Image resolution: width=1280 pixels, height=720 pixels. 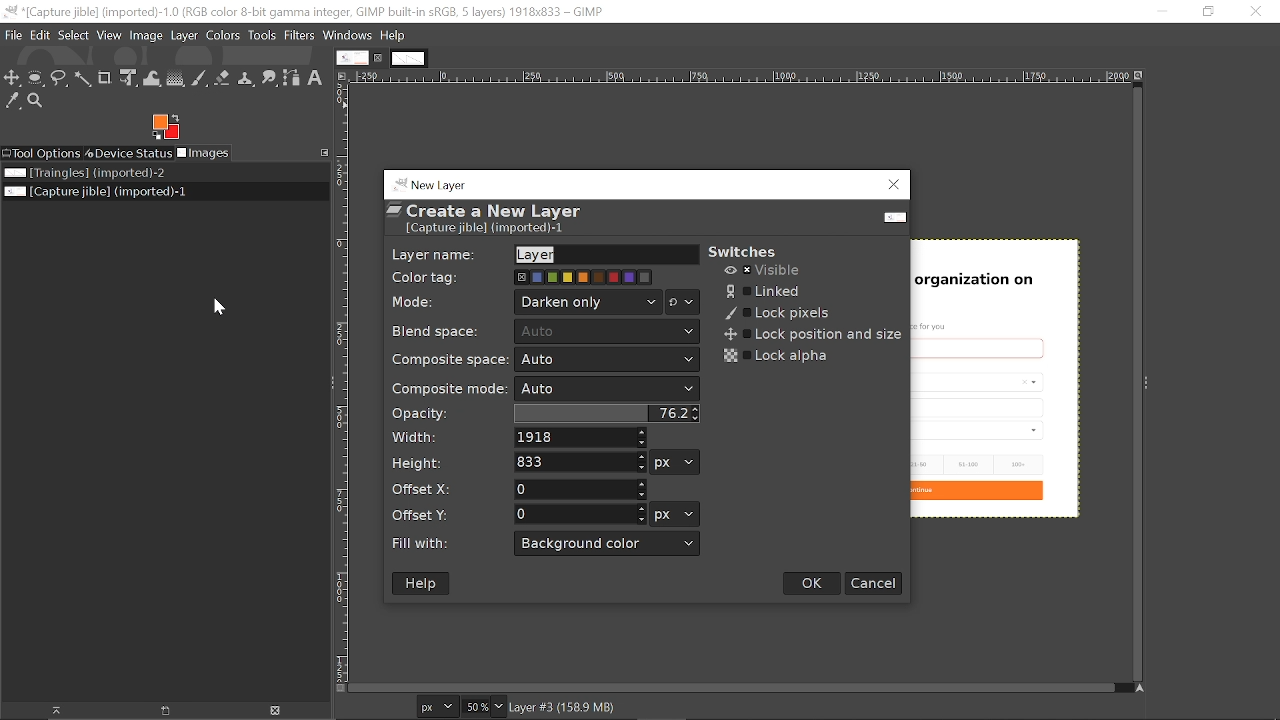 I want to click on Cose, so click(x=1255, y=11).